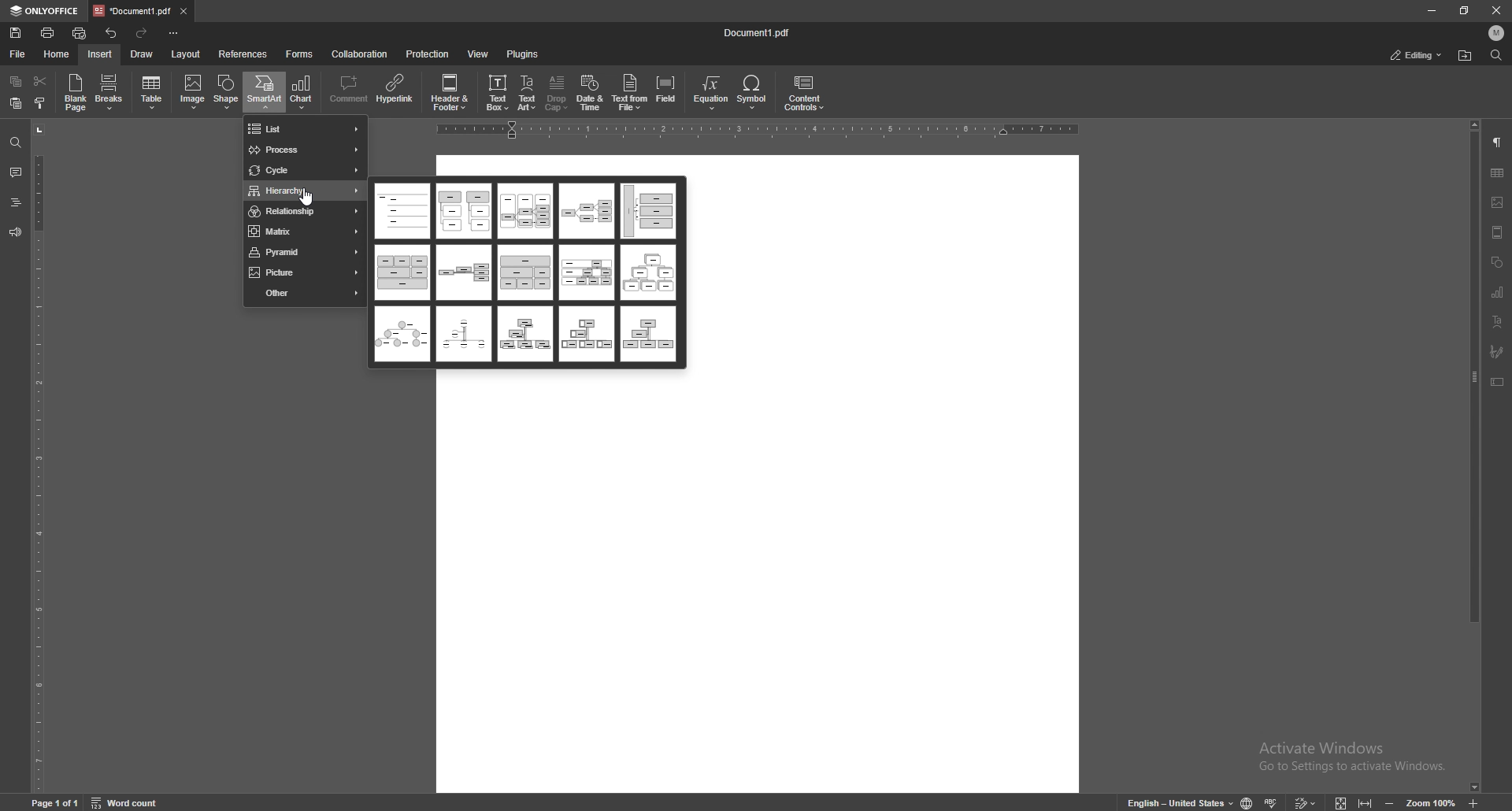 The width and height of the screenshot is (1512, 811). I want to click on file name, so click(759, 32).